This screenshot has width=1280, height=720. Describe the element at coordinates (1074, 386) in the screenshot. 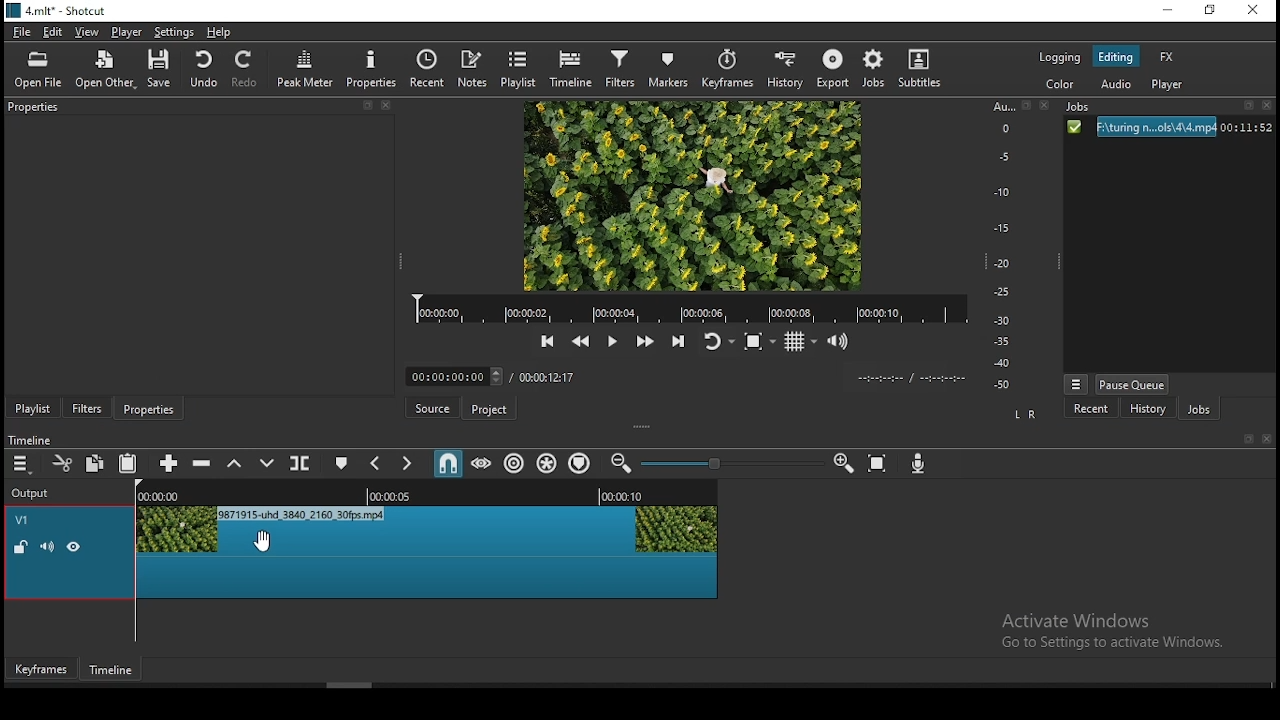

I see `jobs menu` at that location.